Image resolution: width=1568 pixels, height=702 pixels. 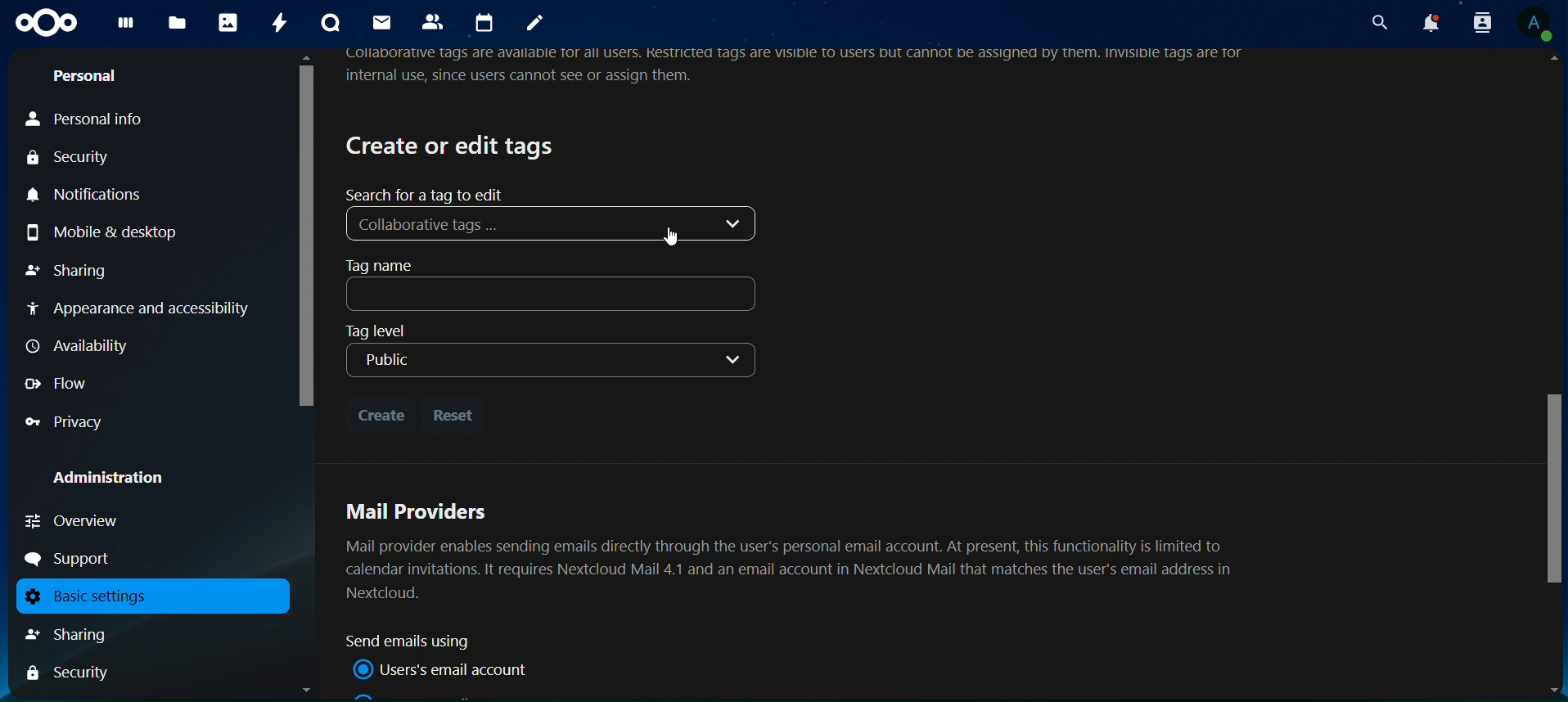 What do you see at coordinates (445, 669) in the screenshot?
I see `user mail account` at bounding box center [445, 669].